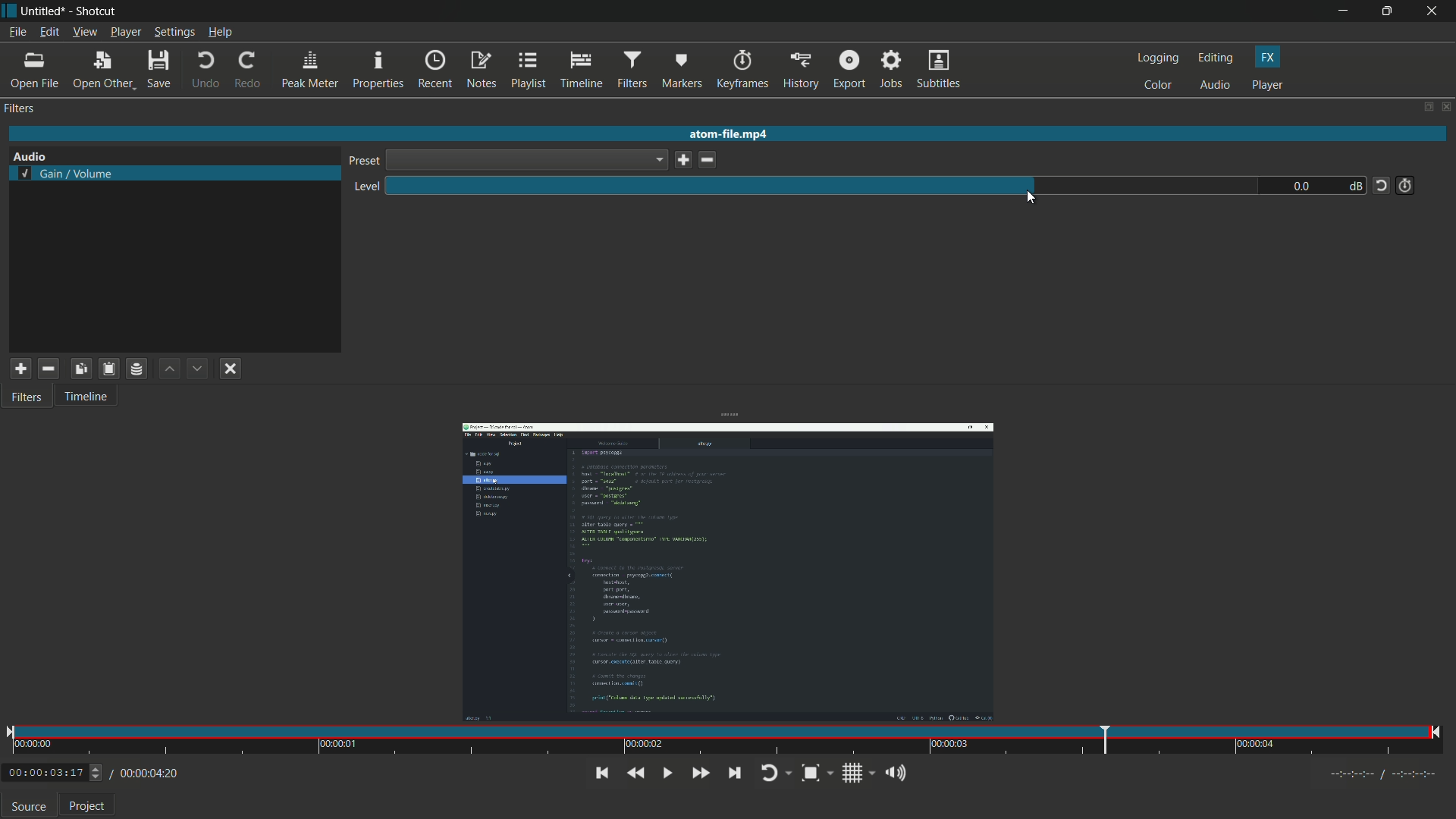 The image size is (1456, 819). Describe the element at coordinates (36, 71) in the screenshot. I see `open file` at that location.